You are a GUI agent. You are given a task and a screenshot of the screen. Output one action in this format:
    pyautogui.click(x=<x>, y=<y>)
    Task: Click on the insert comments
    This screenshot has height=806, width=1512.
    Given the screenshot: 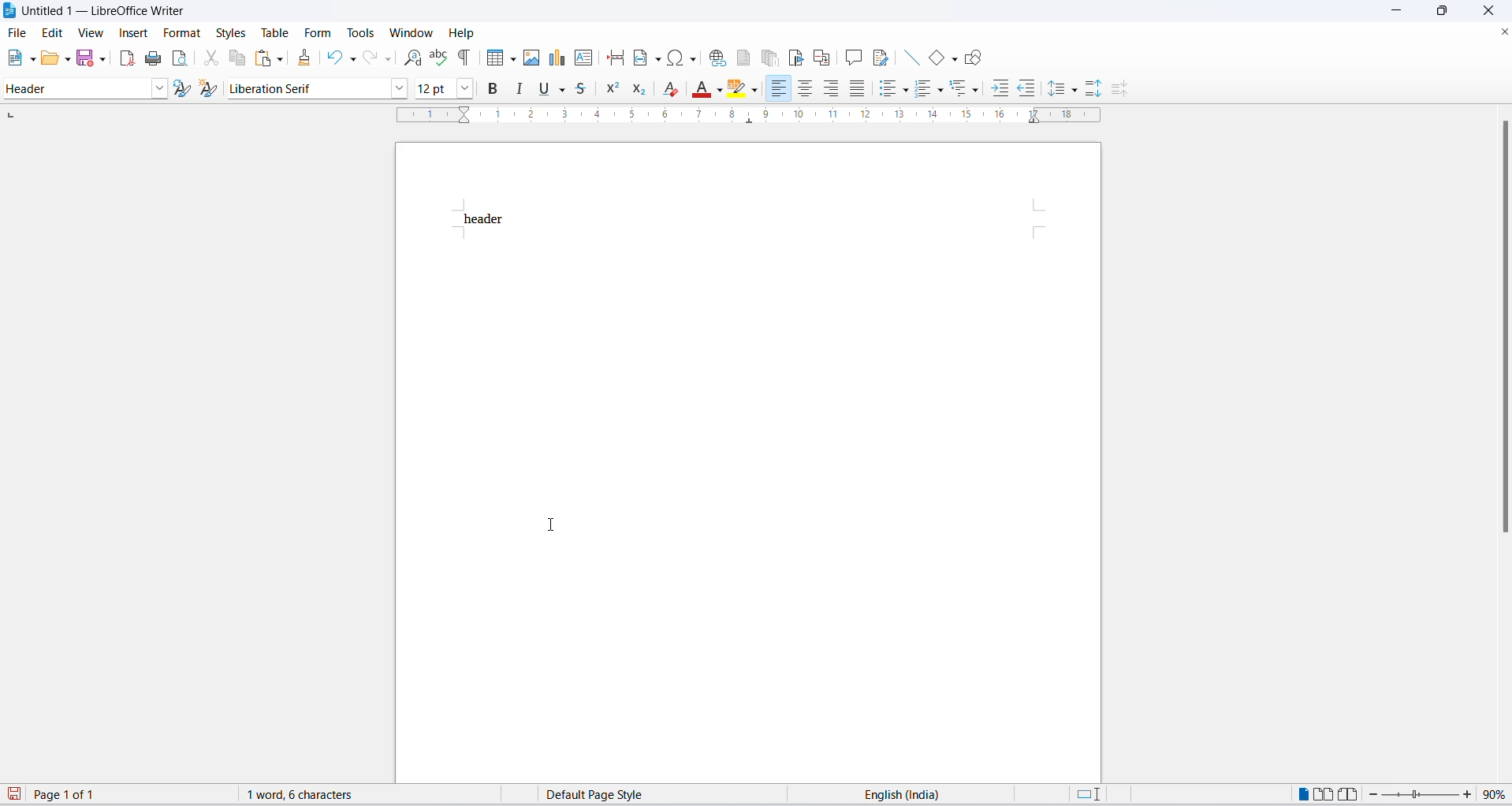 What is the action you would take?
    pyautogui.click(x=852, y=55)
    